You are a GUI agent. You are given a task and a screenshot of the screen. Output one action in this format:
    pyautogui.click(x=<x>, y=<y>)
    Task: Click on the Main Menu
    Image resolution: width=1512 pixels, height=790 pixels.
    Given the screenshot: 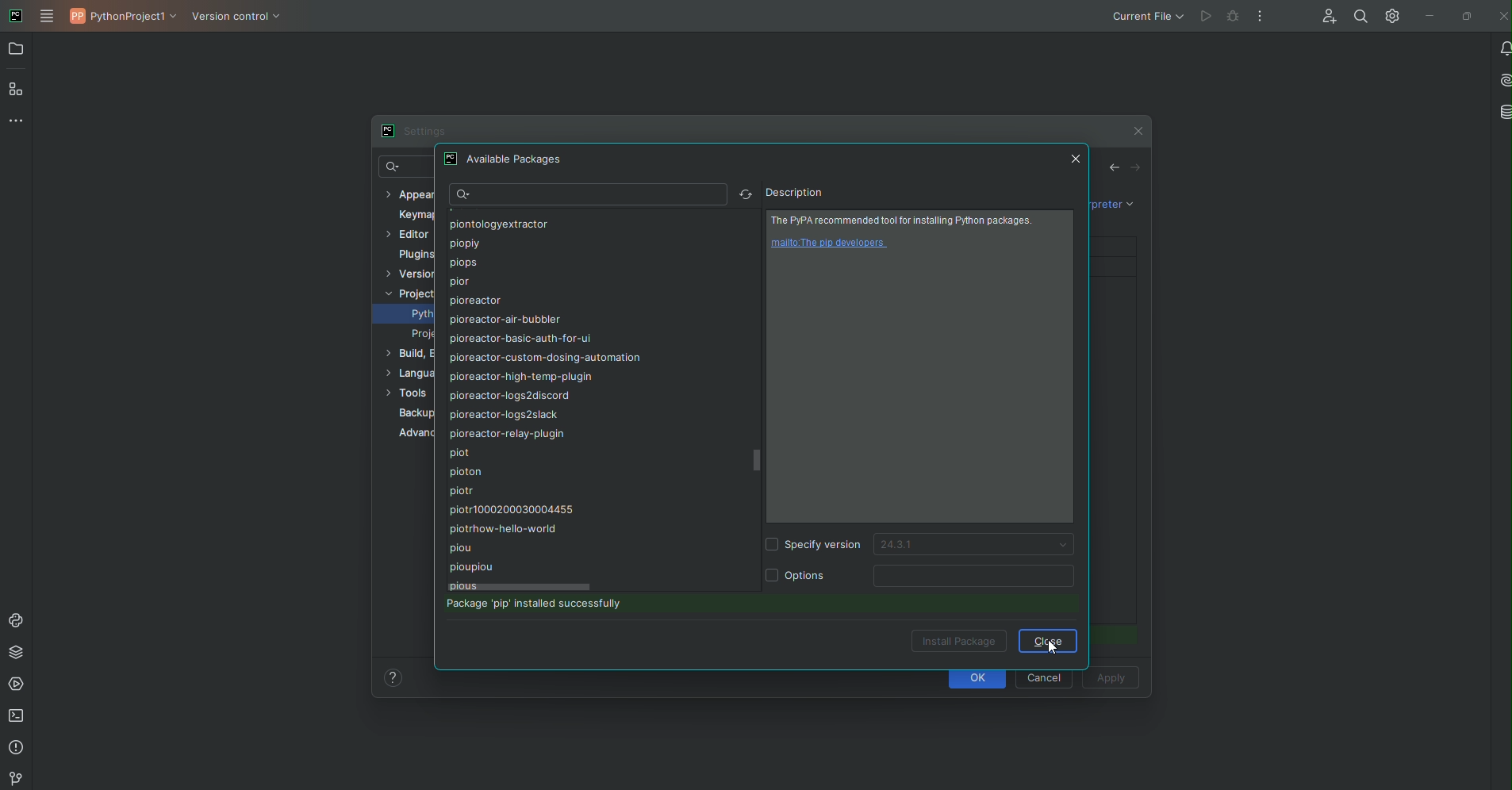 What is the action you would take?
    pyautogui.click(x=49, y=16)
    